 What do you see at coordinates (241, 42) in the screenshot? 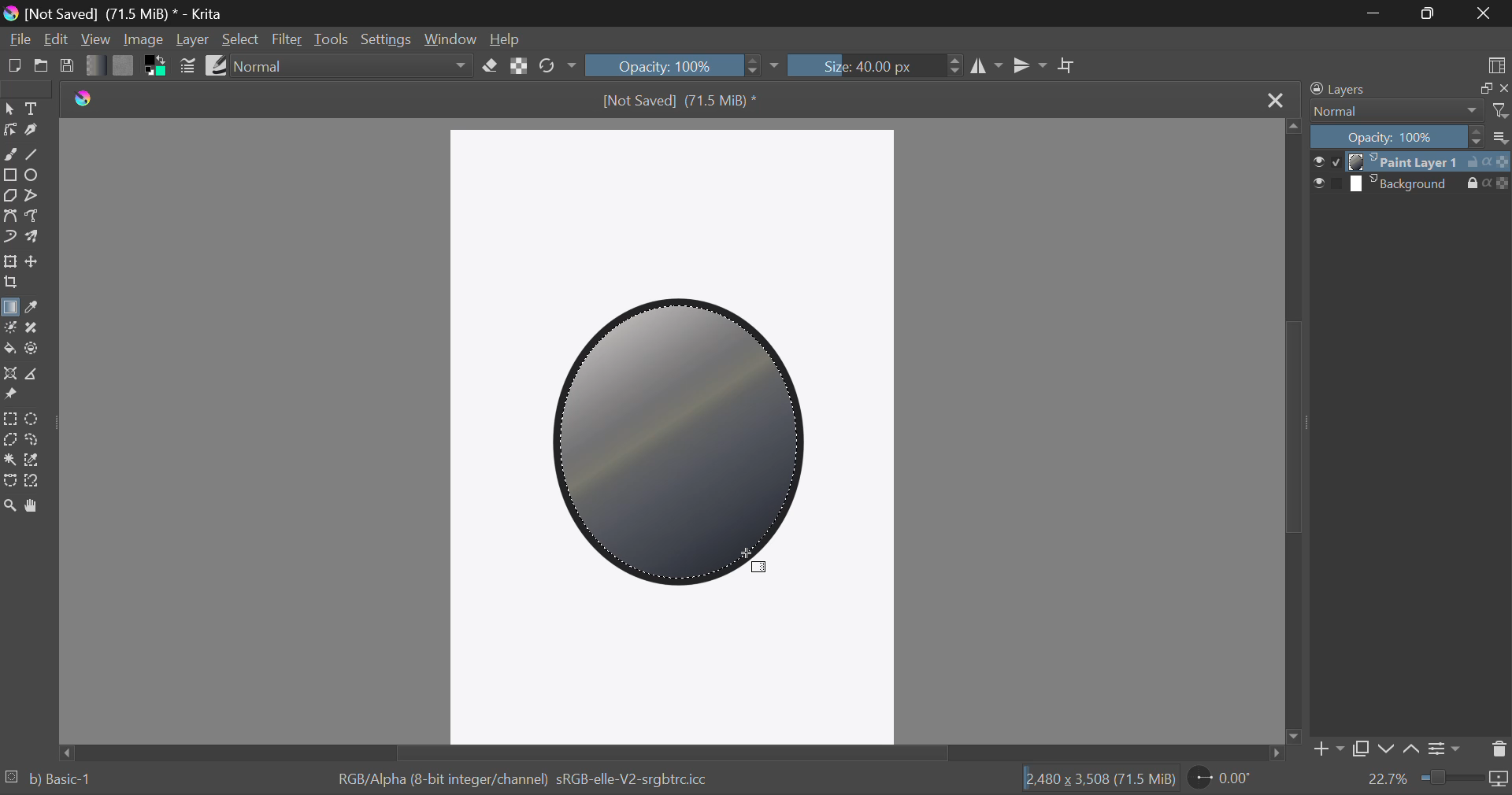
I see `Select` at bounding box center [241, 42].